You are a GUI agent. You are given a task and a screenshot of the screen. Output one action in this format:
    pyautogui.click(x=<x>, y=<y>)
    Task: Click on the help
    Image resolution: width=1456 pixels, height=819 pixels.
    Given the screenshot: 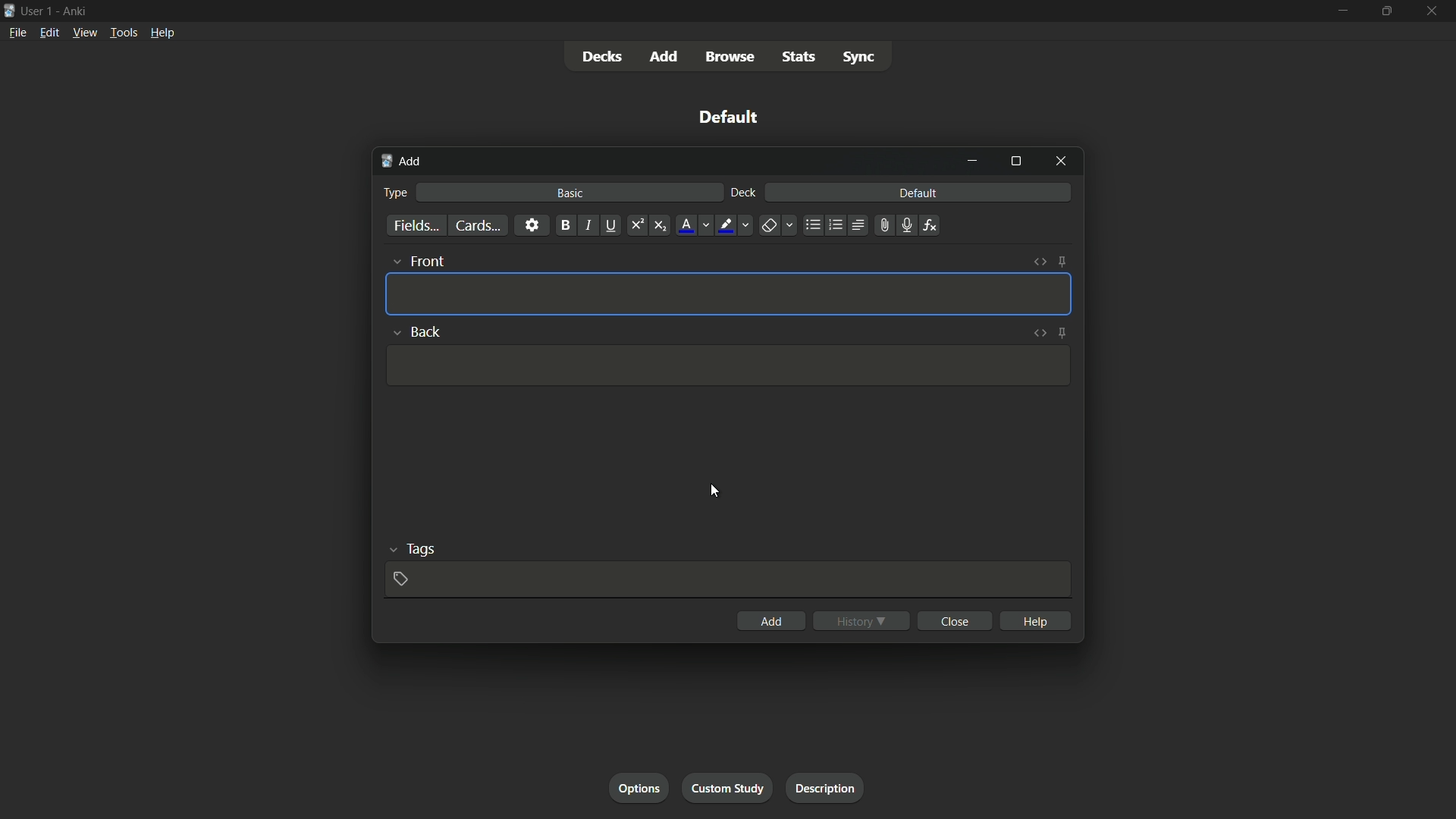 What is the action you would take?
    pyautogui.click(x=1036, y=621)
    